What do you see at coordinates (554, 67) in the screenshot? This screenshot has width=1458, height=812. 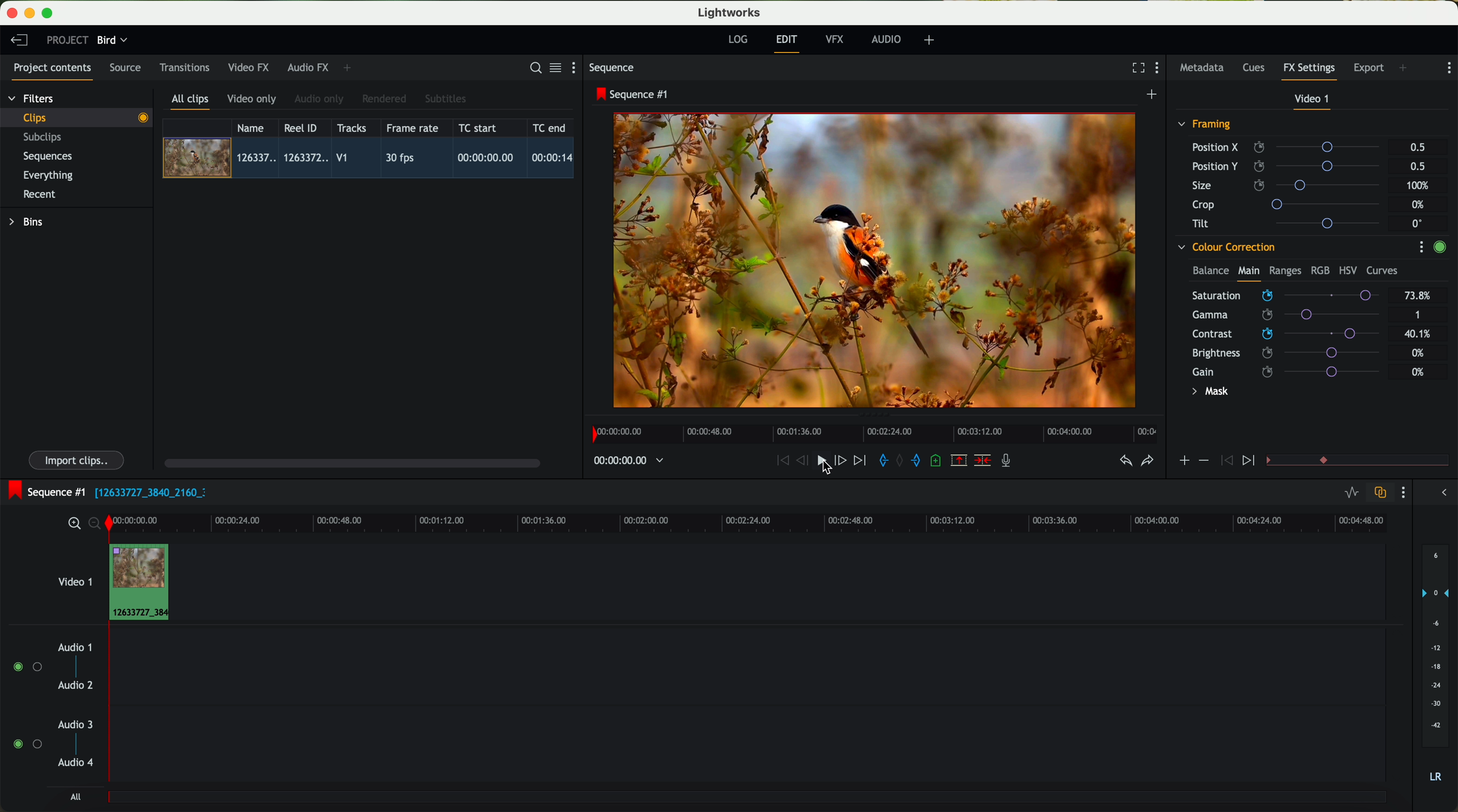 I see `toggle between list and title view` at bounding box center [554, 67].